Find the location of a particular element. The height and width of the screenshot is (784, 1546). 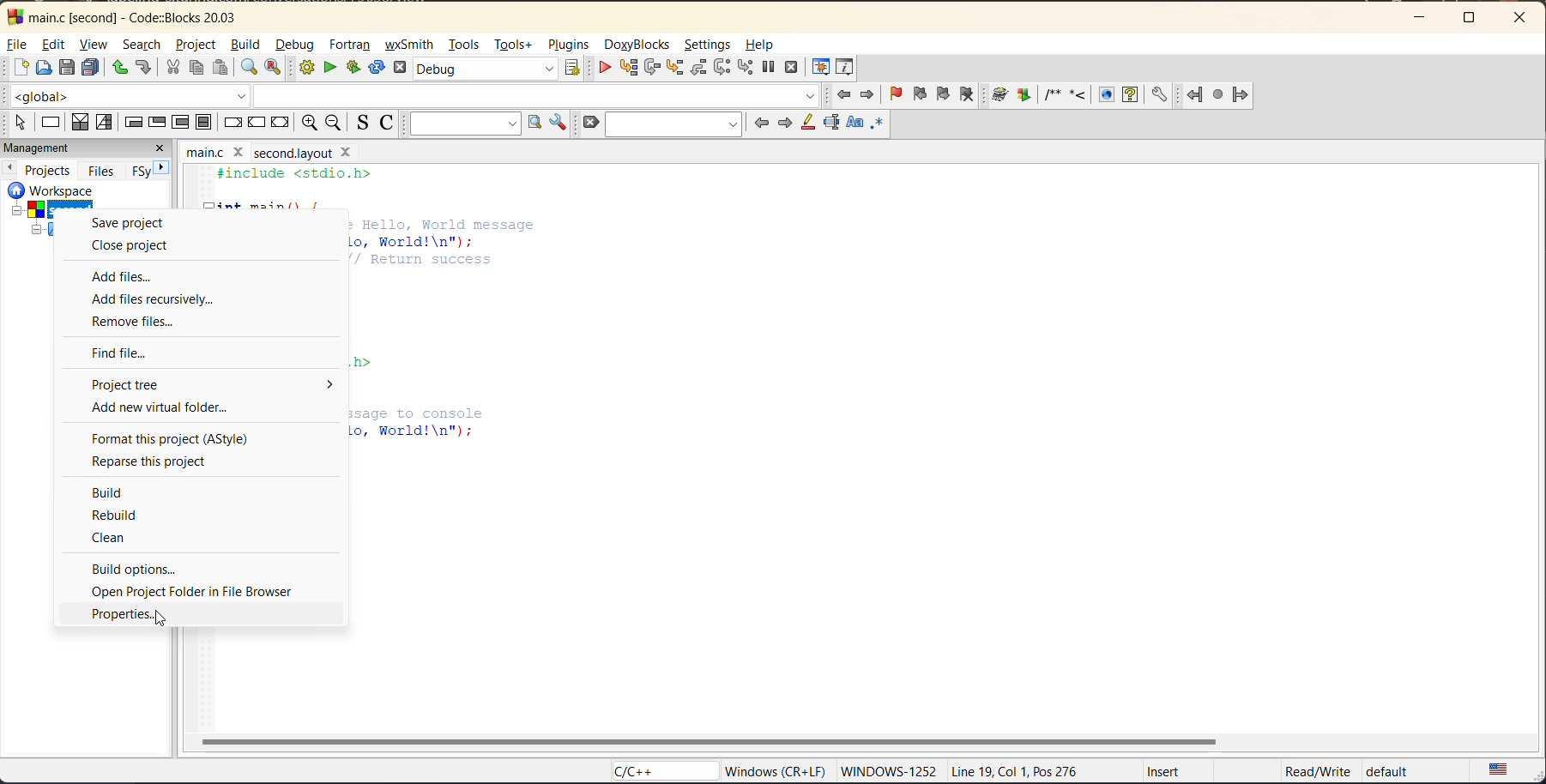

return instruction is located at coordinates (281, 120).